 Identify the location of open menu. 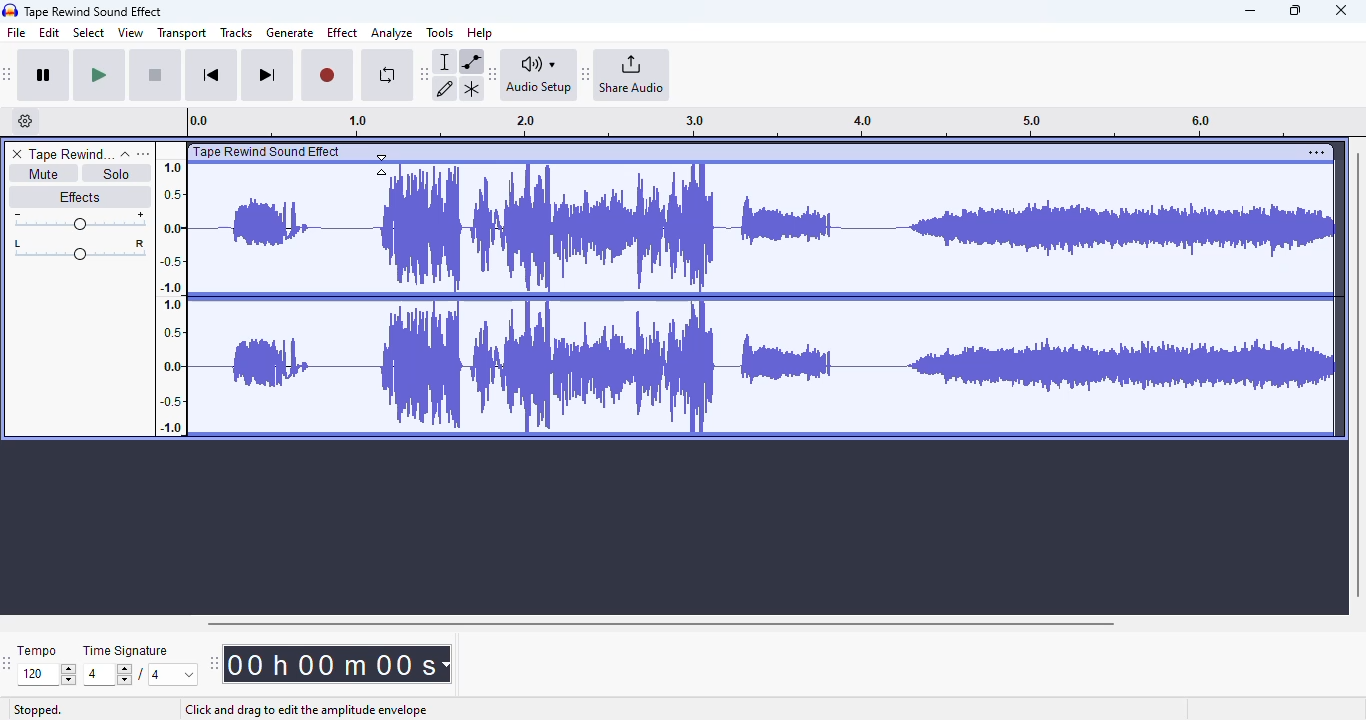
(143, 153).